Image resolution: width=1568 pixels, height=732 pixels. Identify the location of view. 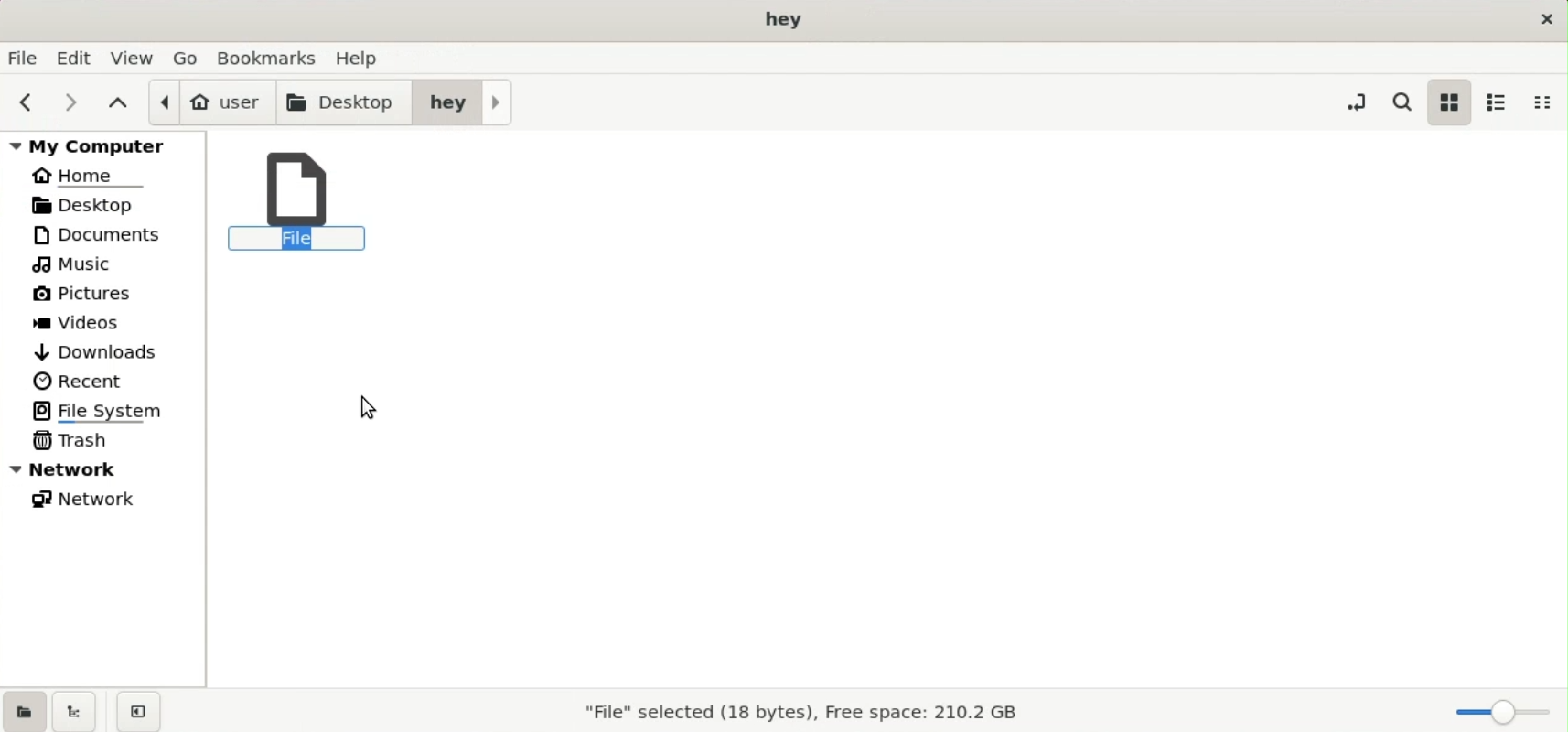
(134, 57).